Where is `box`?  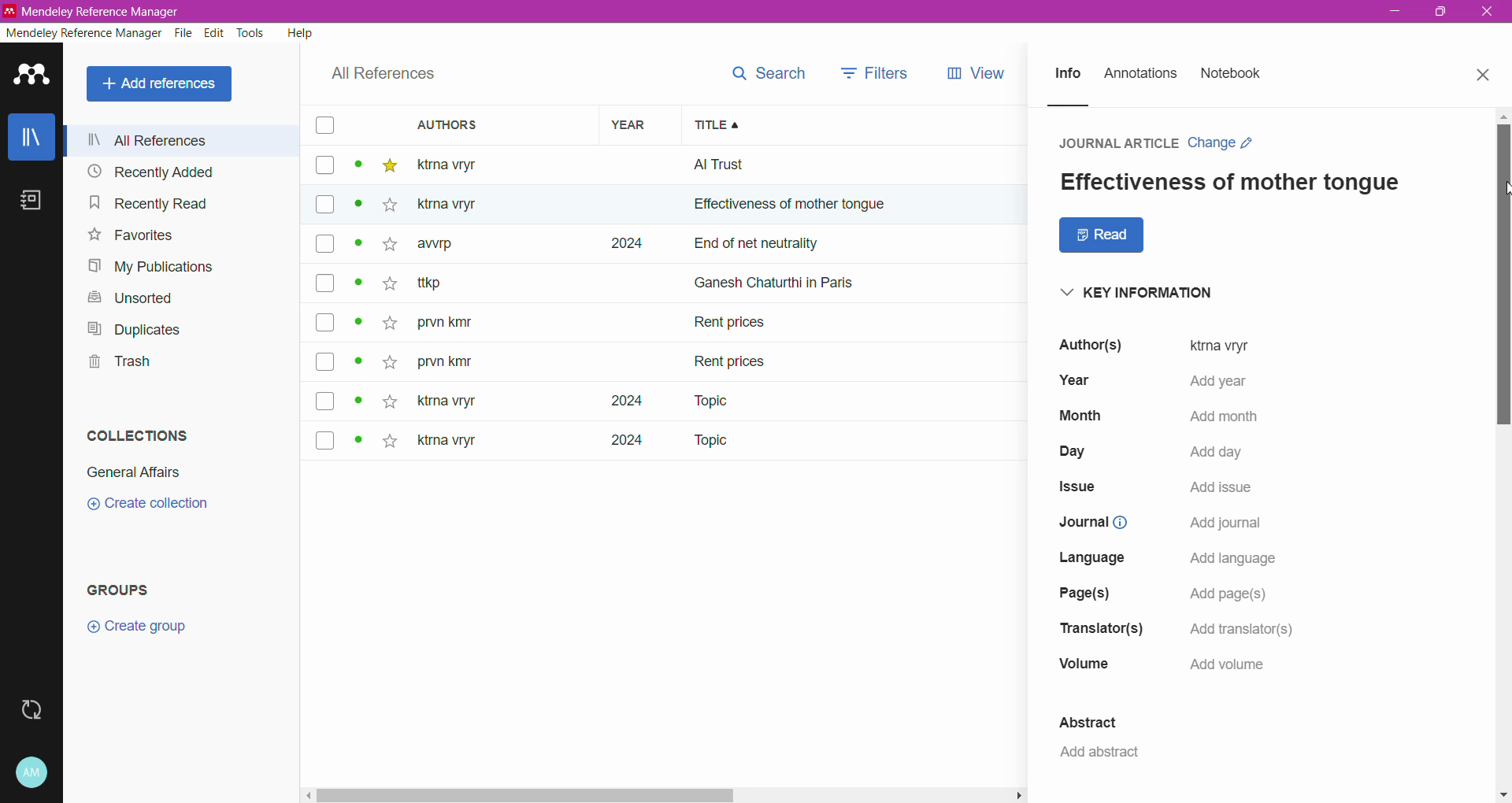
box is located at coordinates (324, 205).